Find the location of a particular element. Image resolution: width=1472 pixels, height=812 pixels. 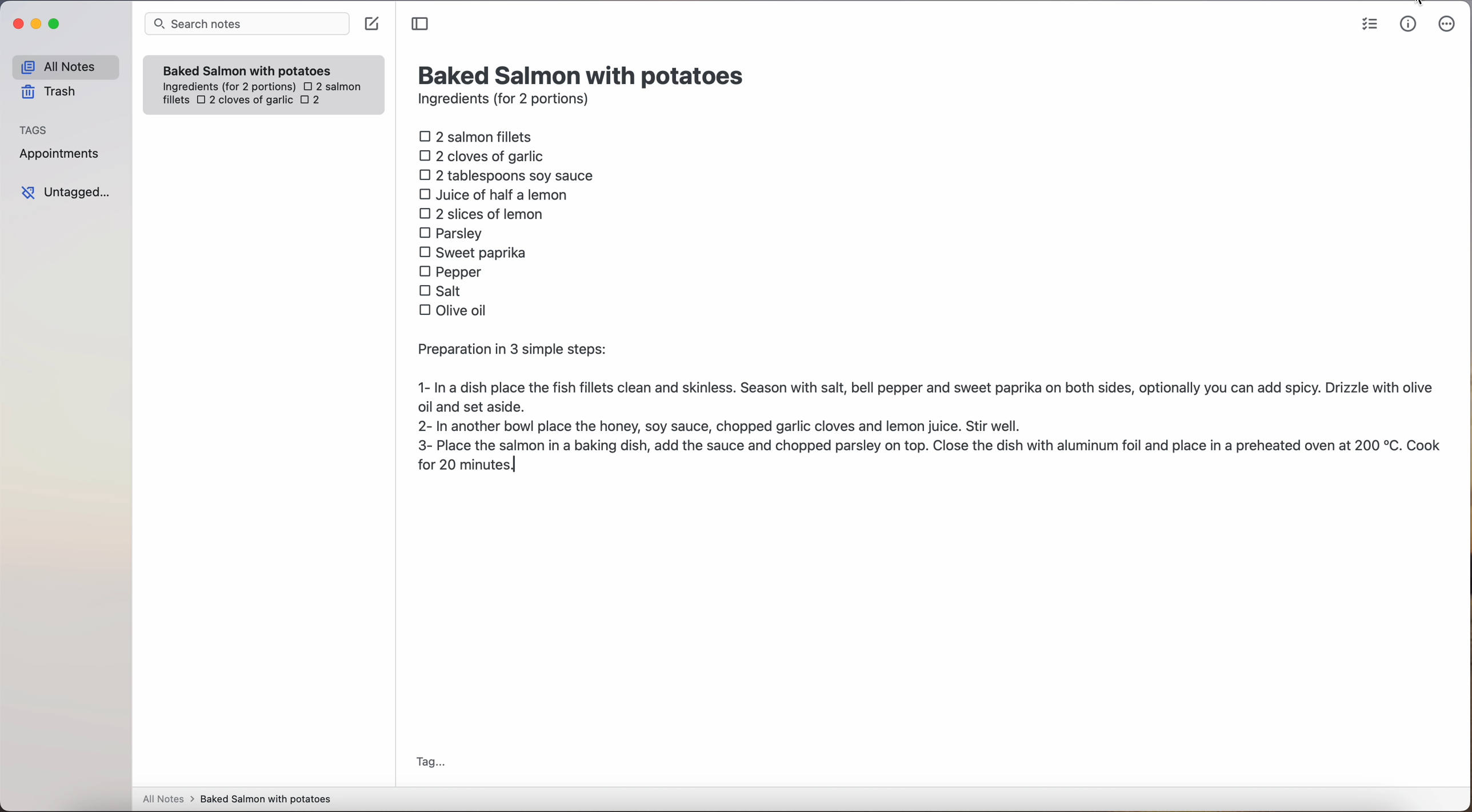

Baked Salmon with potatoes is located at coordinates (247, 68).